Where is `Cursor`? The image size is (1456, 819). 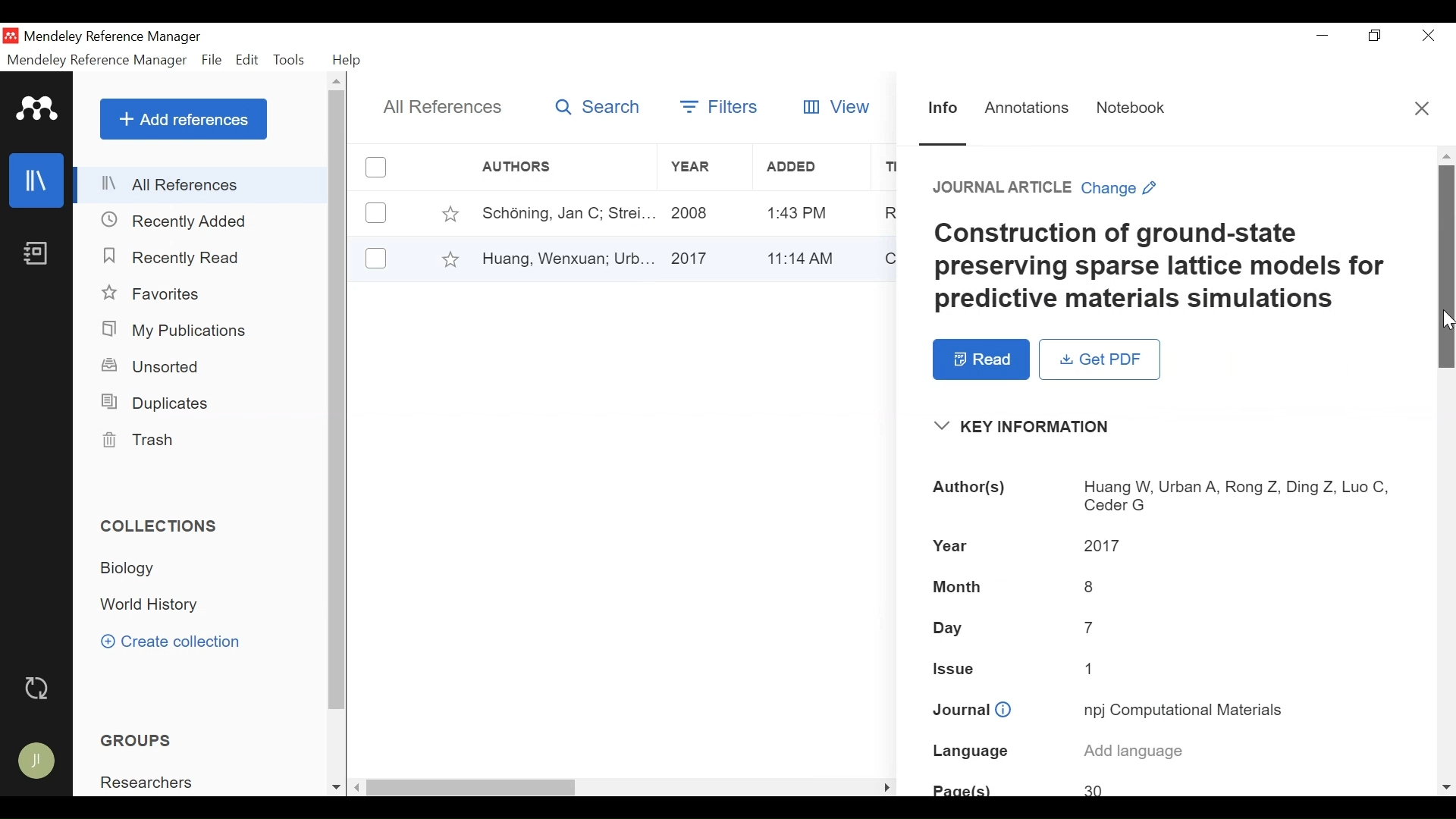 Cursor is located at coordinates (1447, 318).